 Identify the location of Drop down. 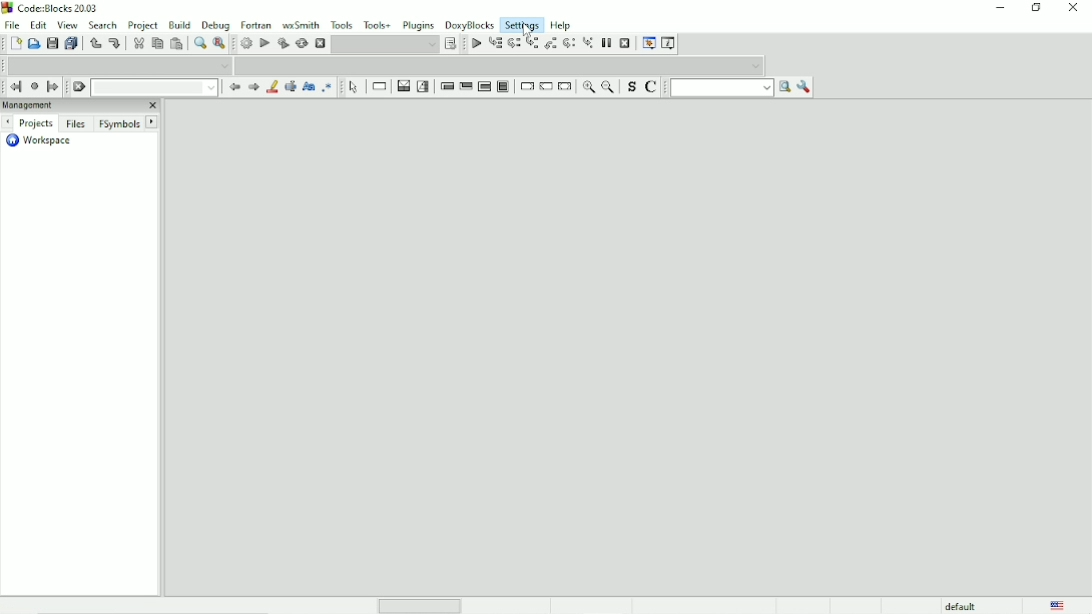
(767, 88).